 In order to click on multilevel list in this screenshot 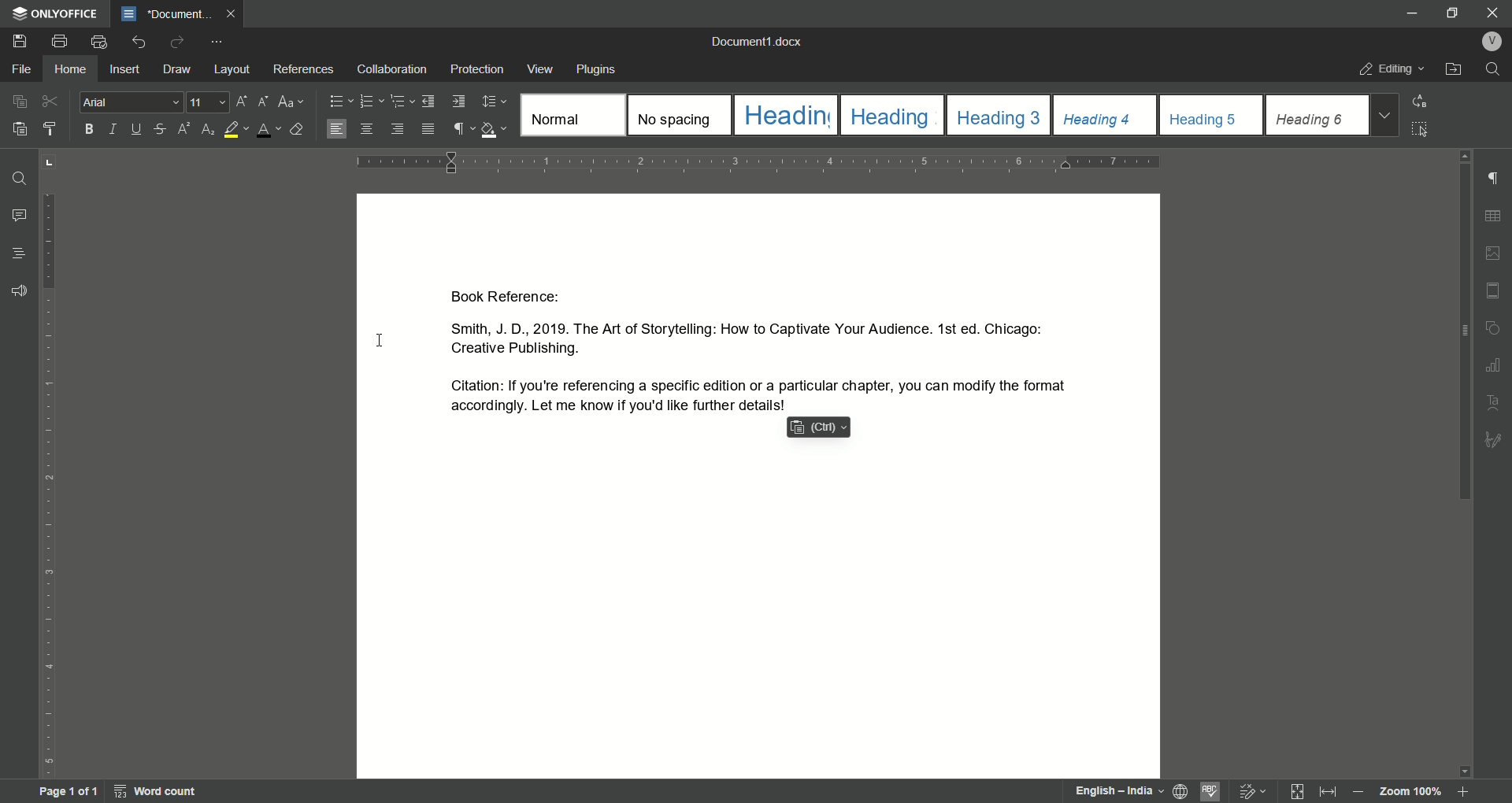, I will do `click(398, 101)`.